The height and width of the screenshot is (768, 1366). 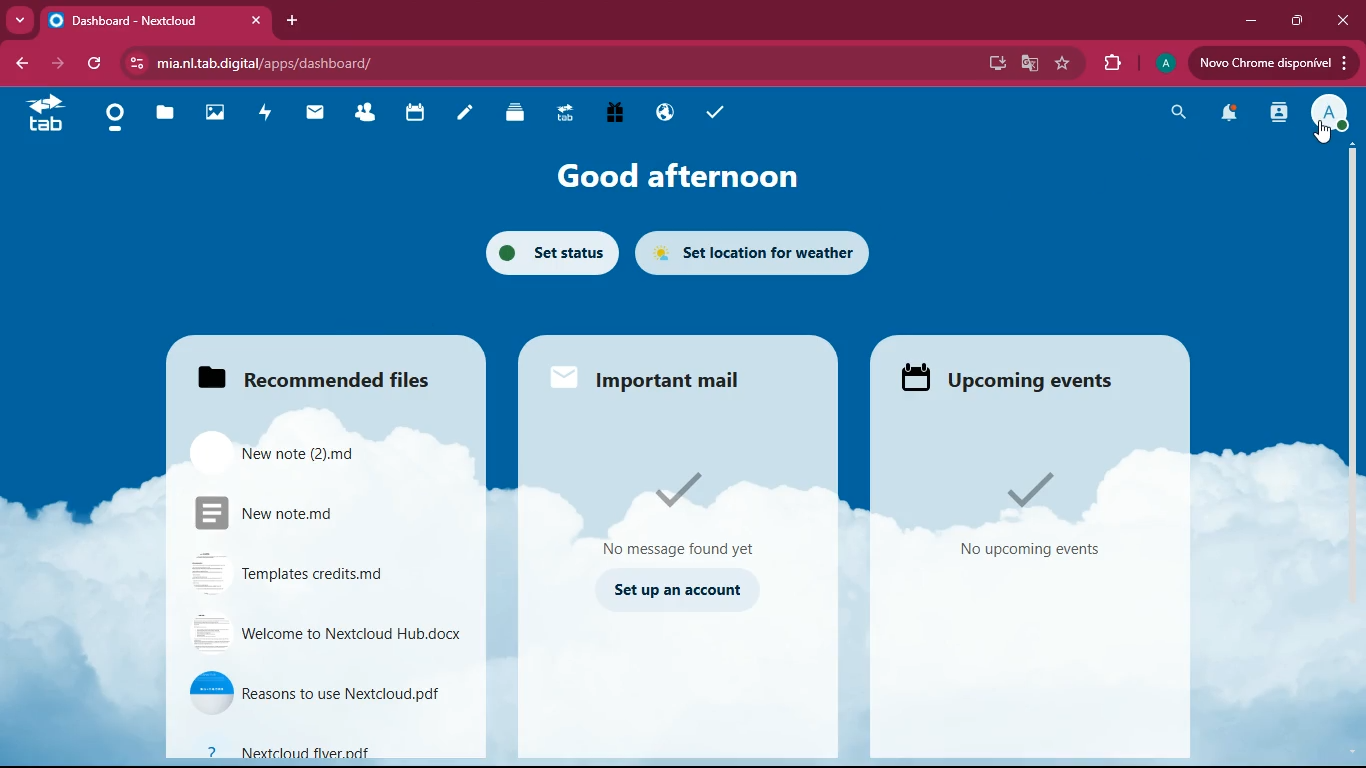 I want to click on tab, so click(x=569, y=114).